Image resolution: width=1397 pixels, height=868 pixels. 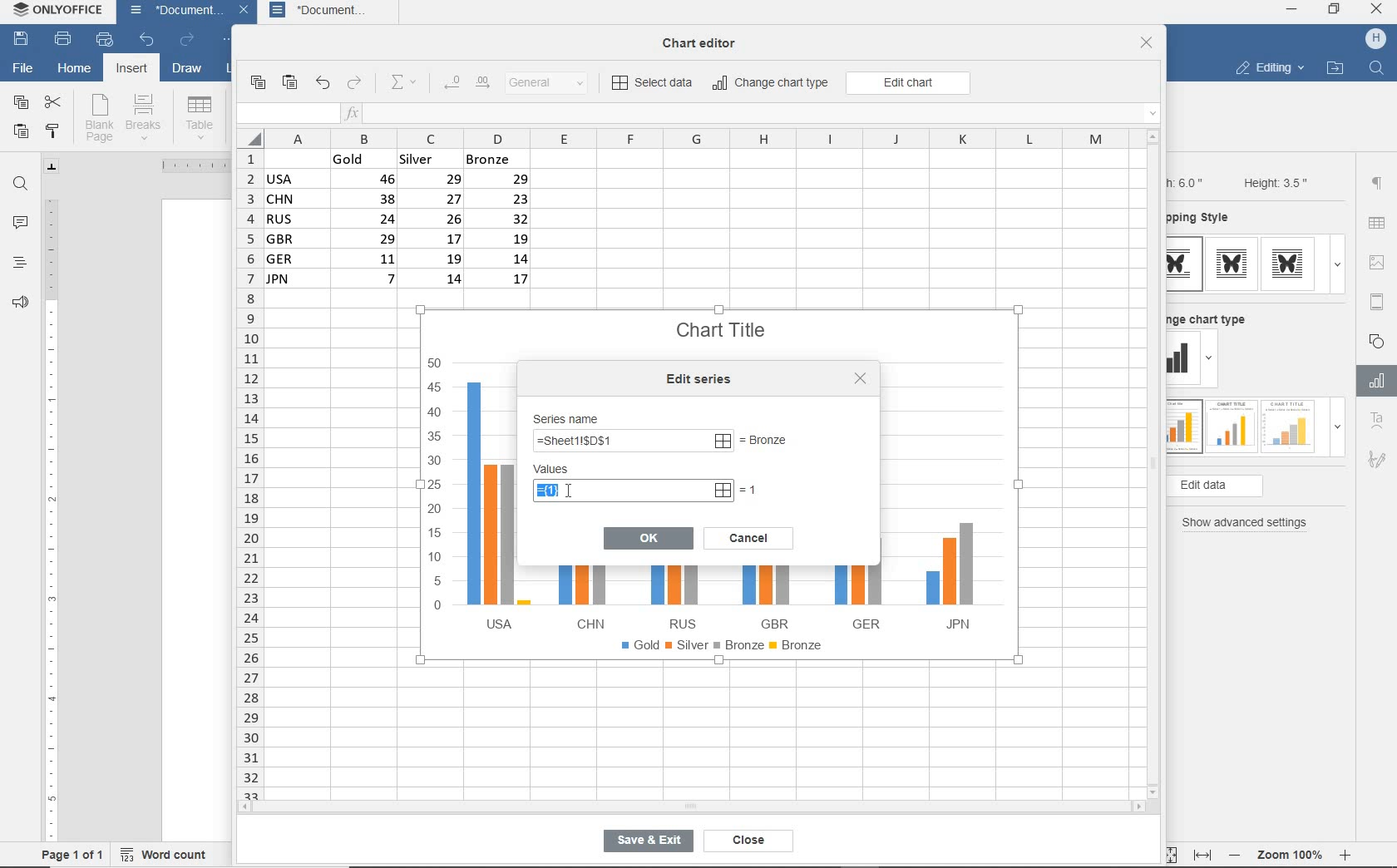 I want to click on dropdown, so click(x=1212, y=361).